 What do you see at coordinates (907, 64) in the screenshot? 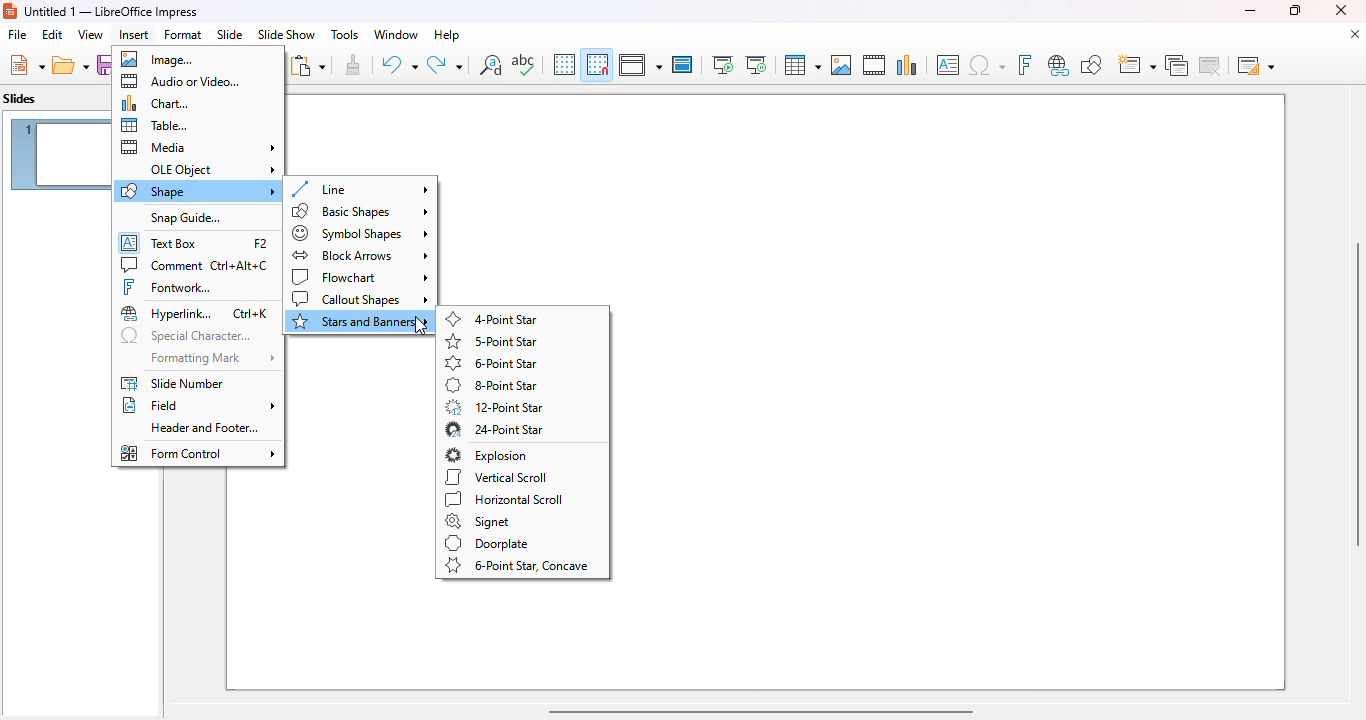
I see `insert chart` at bounding box center [907, 64].